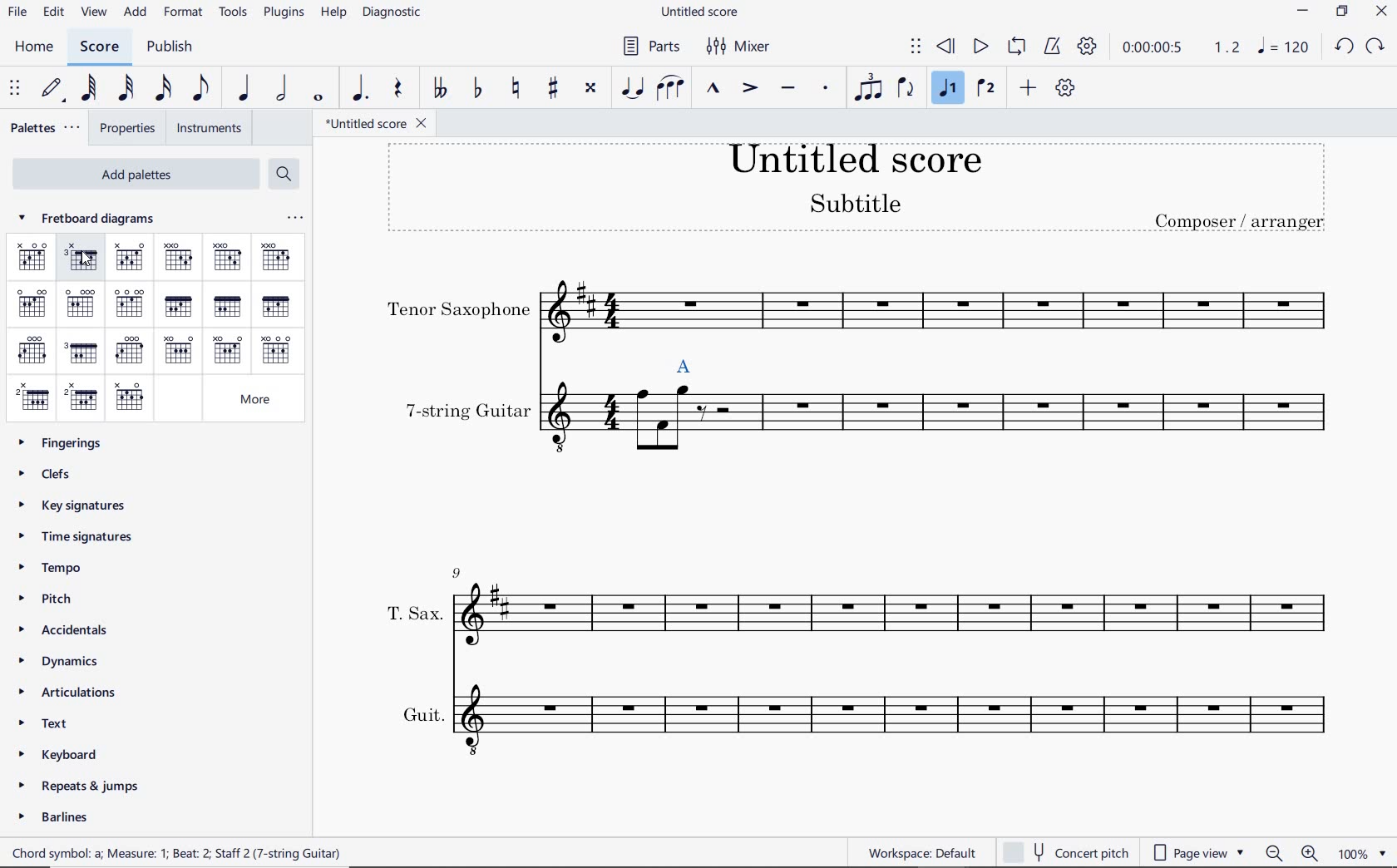  What do you see at coordinates (1287, 48) in the screenshot?
I see `NOTE` at bounding box center [1287, 48].